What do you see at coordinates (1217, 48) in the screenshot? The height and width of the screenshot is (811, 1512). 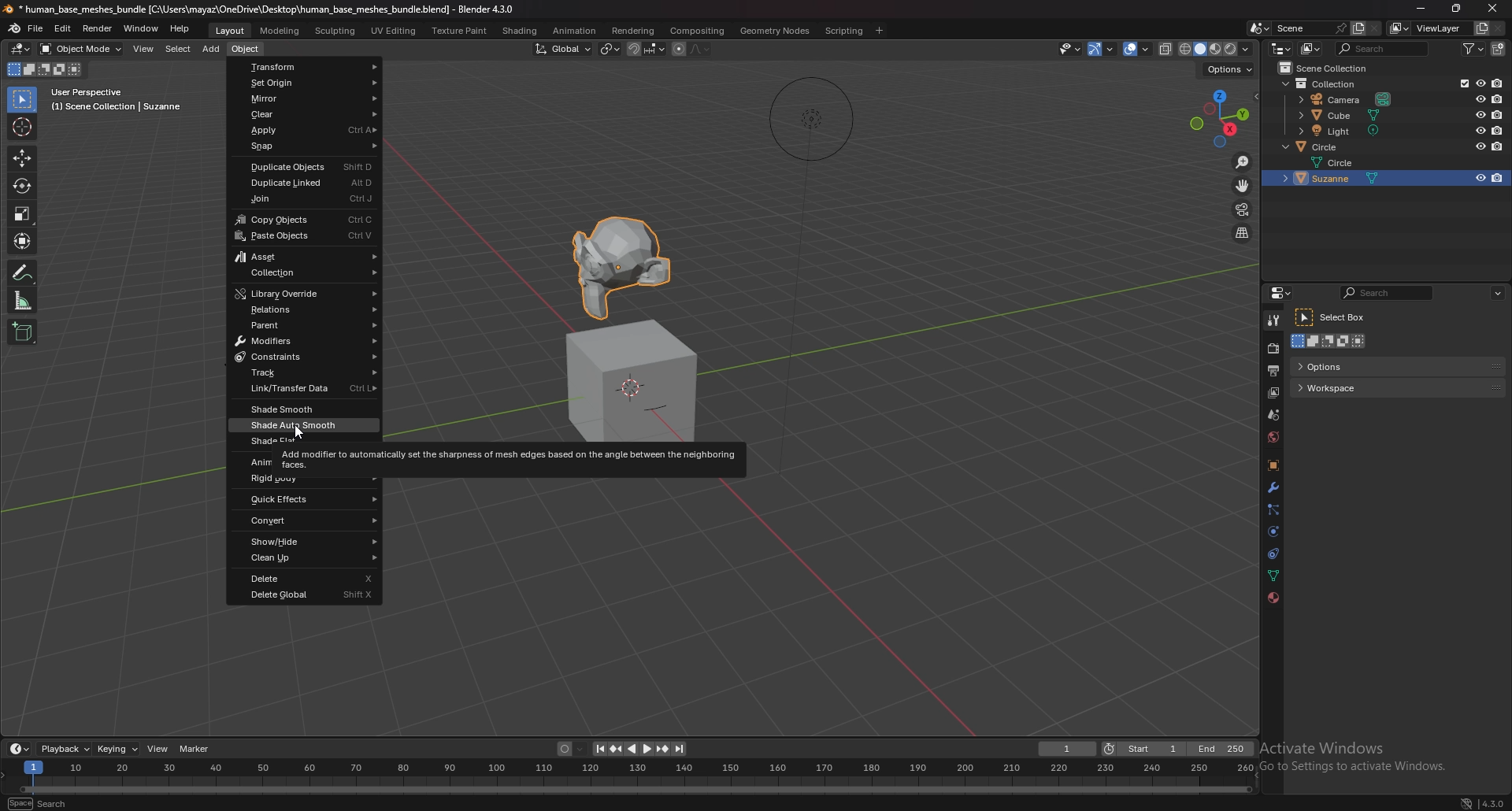 I see `viewport shading` at bounding box center [1217, 48].